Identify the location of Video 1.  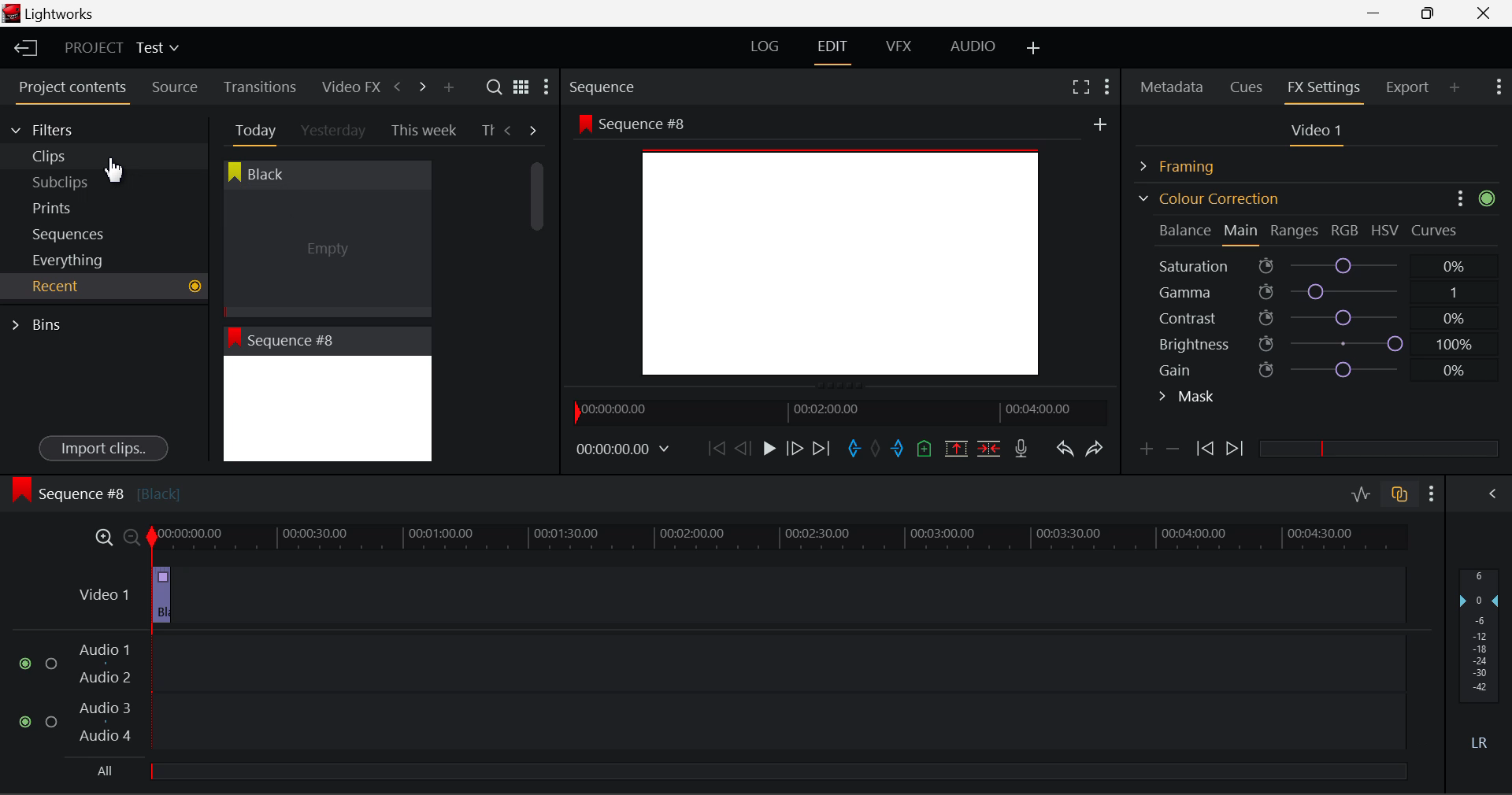
(91, 593).